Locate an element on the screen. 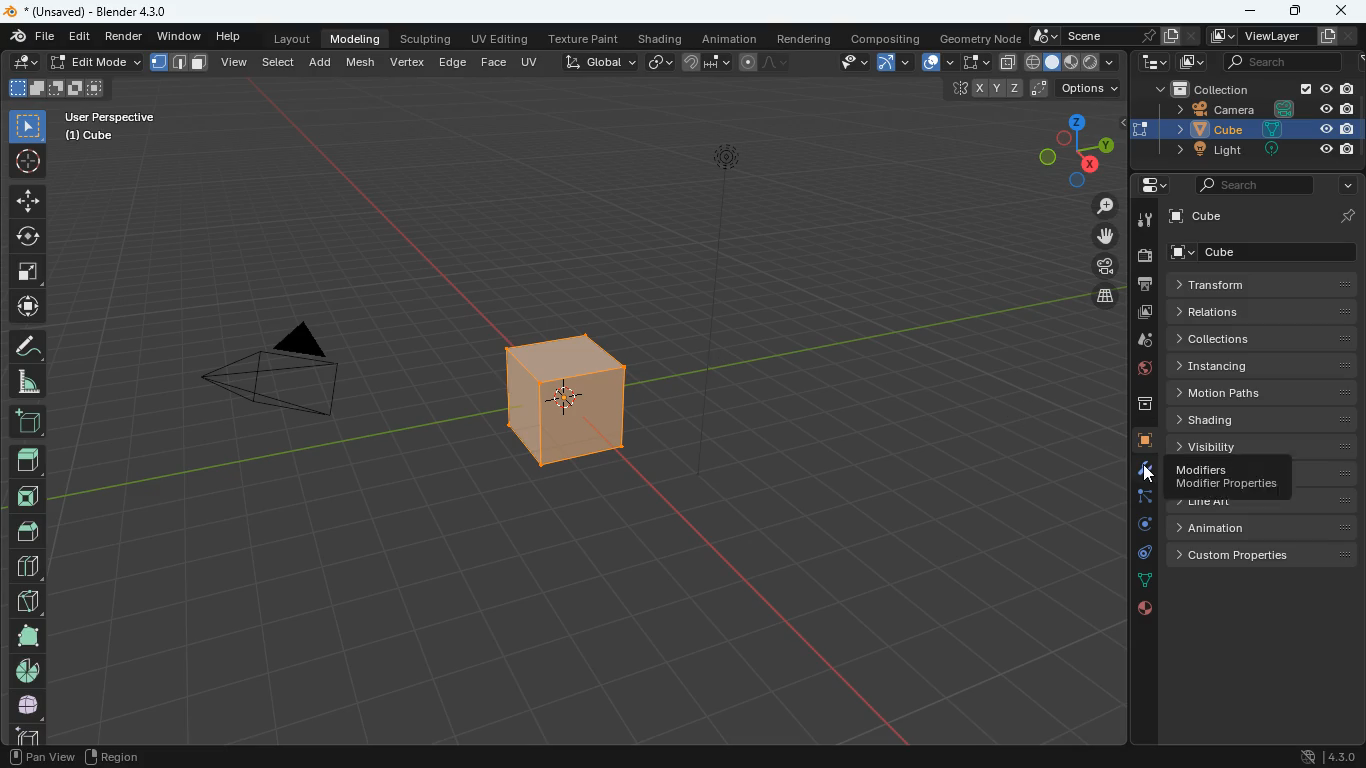  rotation is located at coordinates (1140, 525).